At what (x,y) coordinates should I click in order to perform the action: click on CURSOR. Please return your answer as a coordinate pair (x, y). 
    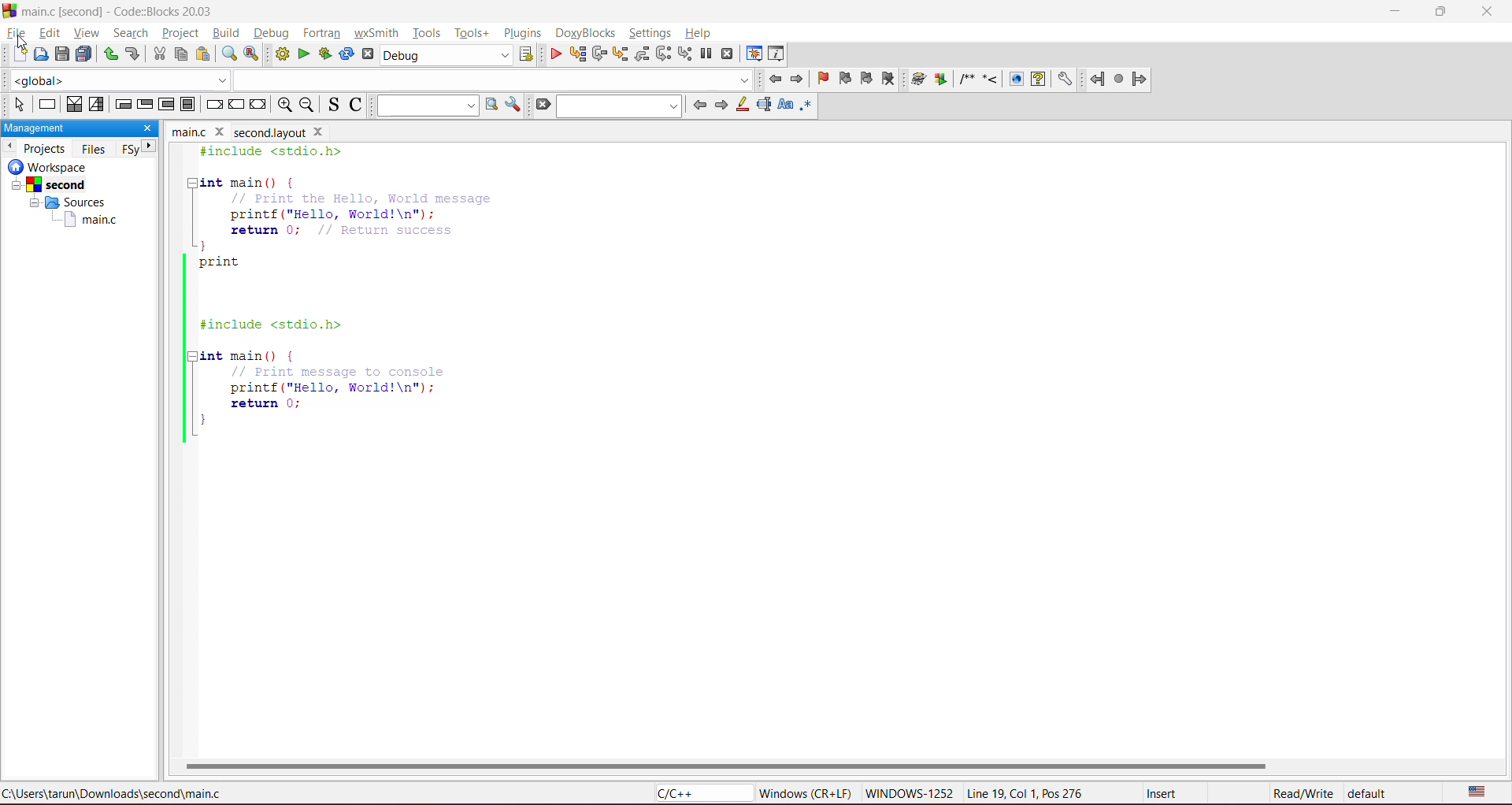
    Looking at the image, I should click on (24, 43).